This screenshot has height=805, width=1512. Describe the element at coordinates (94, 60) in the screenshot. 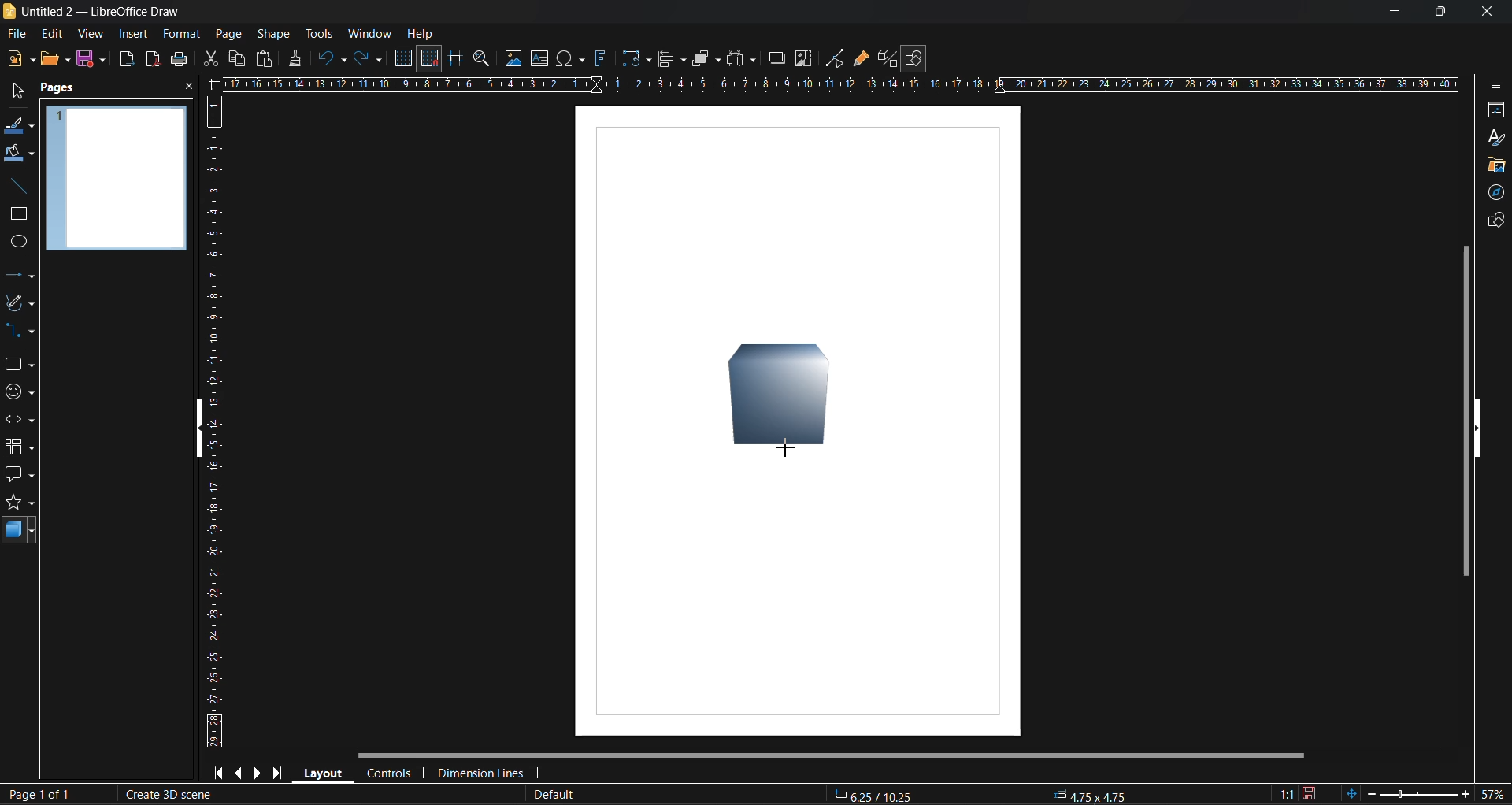

I see `save` at that location.